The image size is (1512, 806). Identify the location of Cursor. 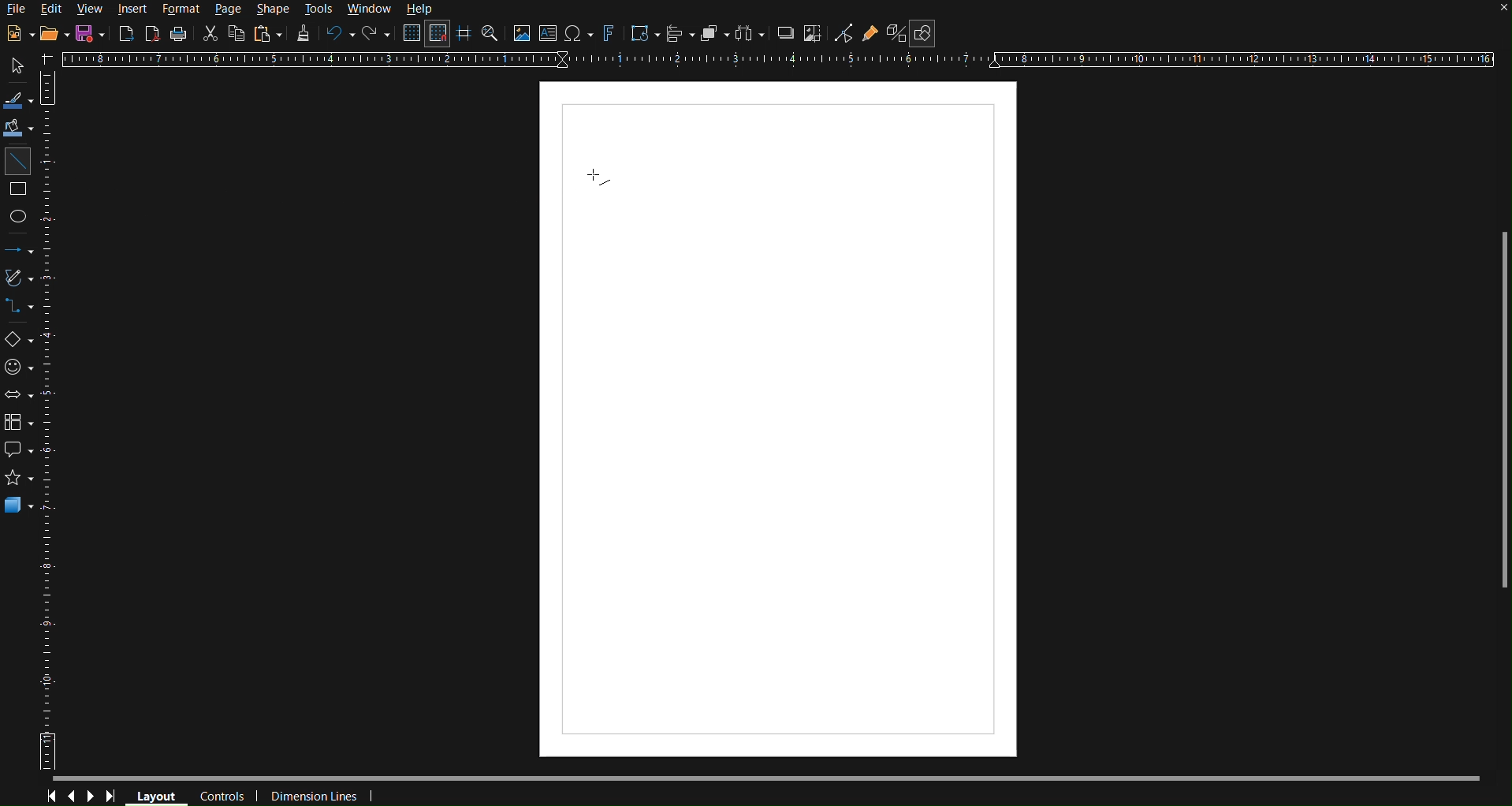
(598, 179).